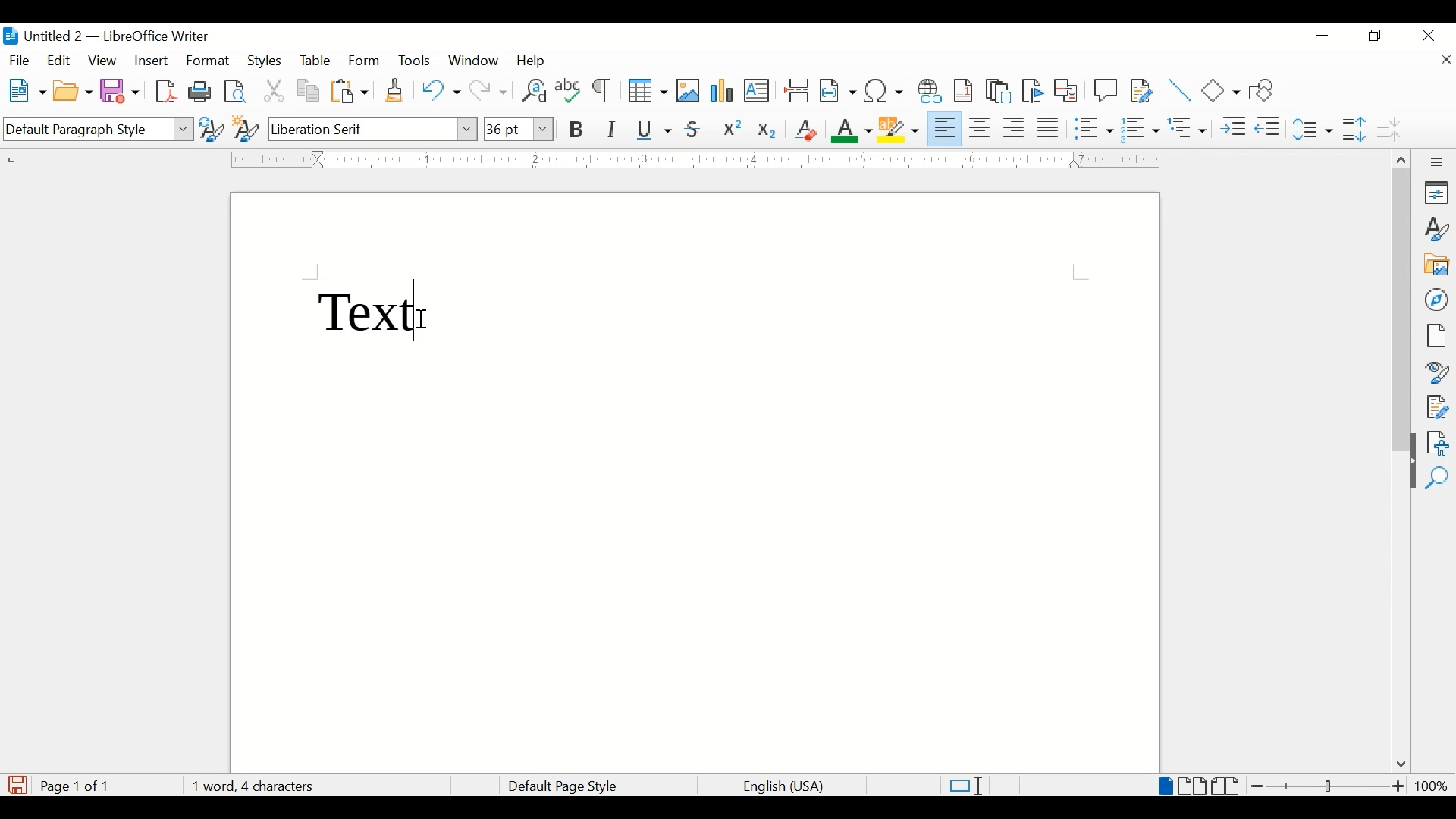 The width and height of the screenshot is (1456, 819). Describe the element at coordinates (1180, 90) in the screenshot. I see `insert line` at that location.